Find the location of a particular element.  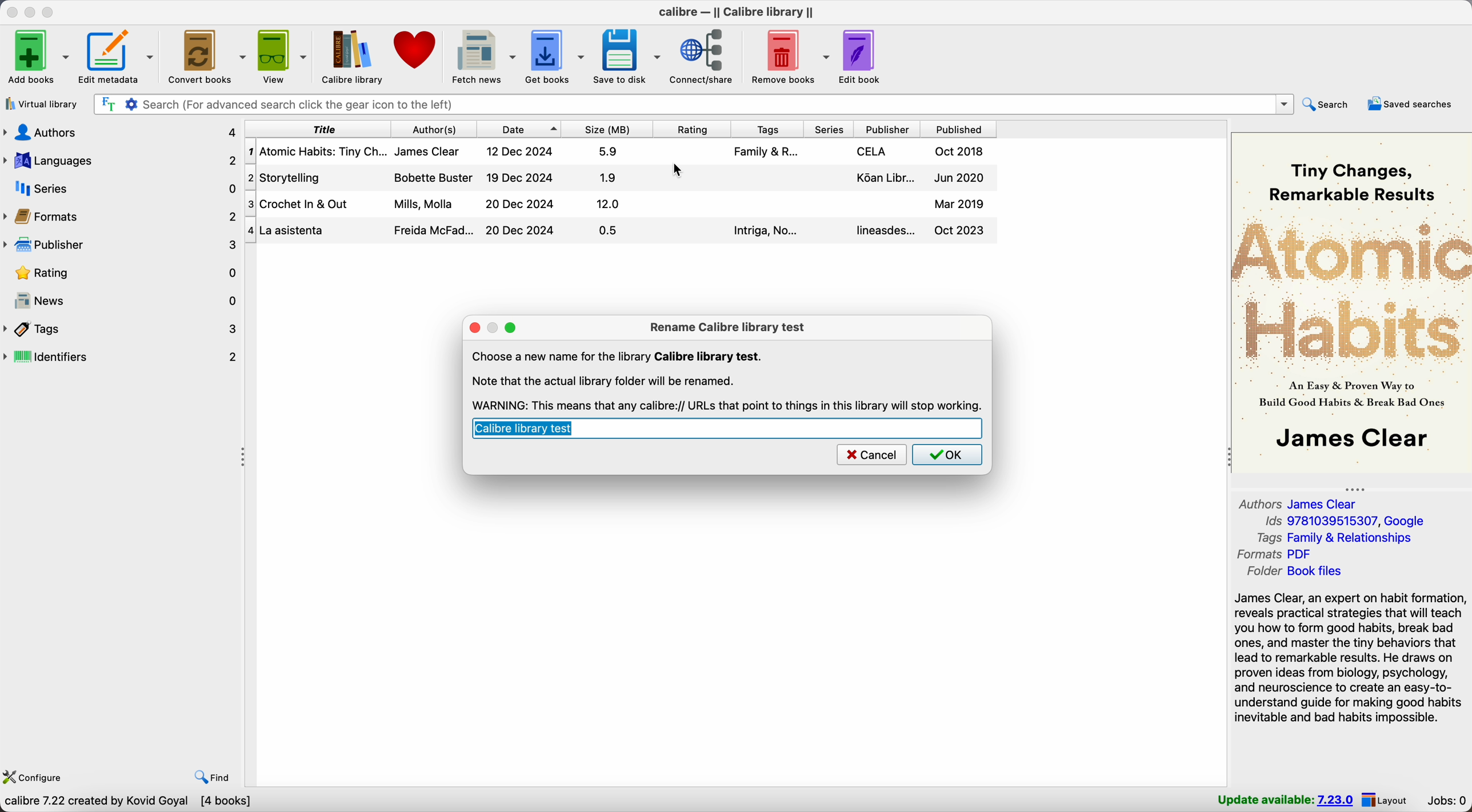

languages is located at coordinates (122, 161).